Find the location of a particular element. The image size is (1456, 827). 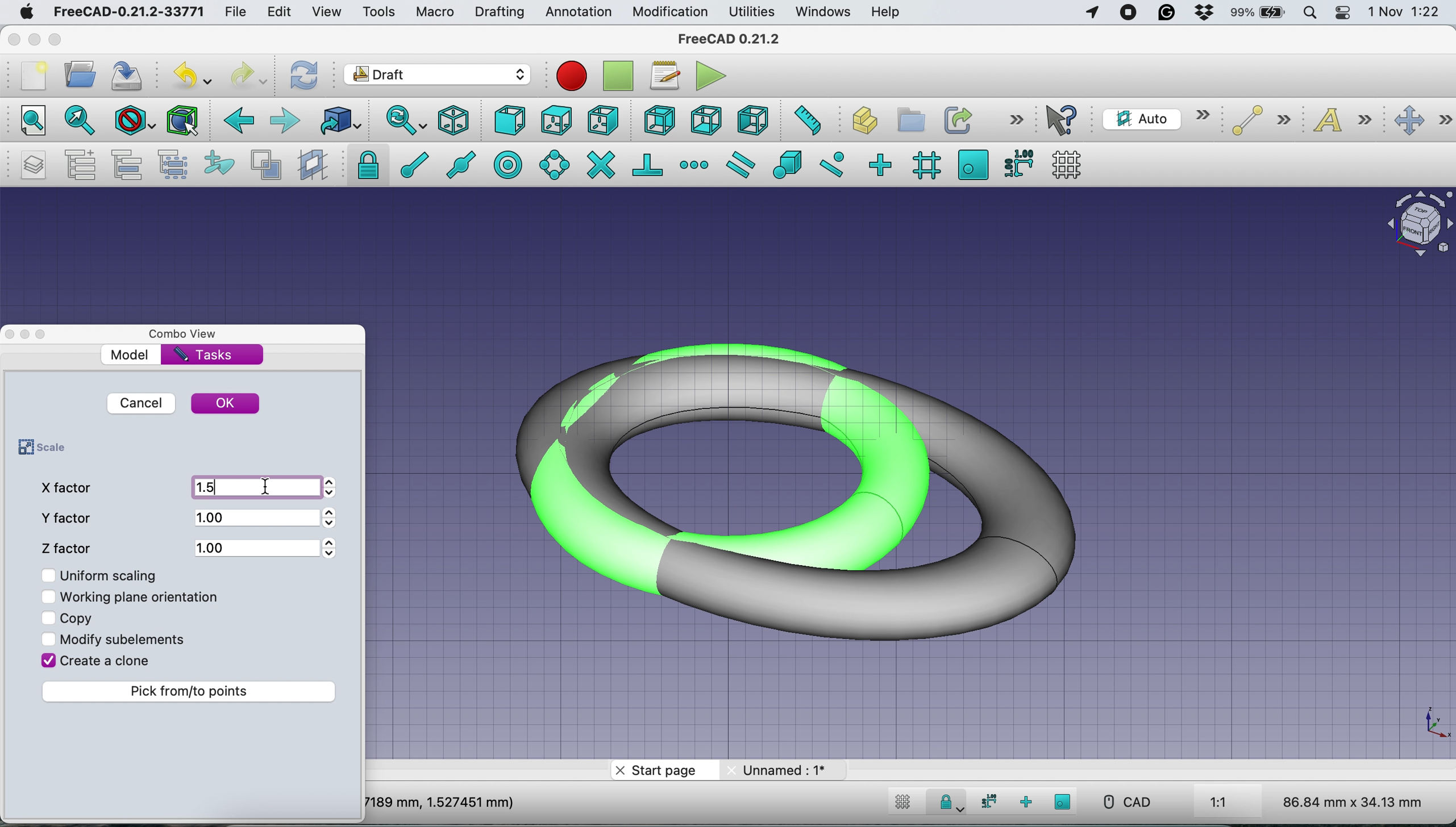

uniform scaling is located at coordinates (113, 575).